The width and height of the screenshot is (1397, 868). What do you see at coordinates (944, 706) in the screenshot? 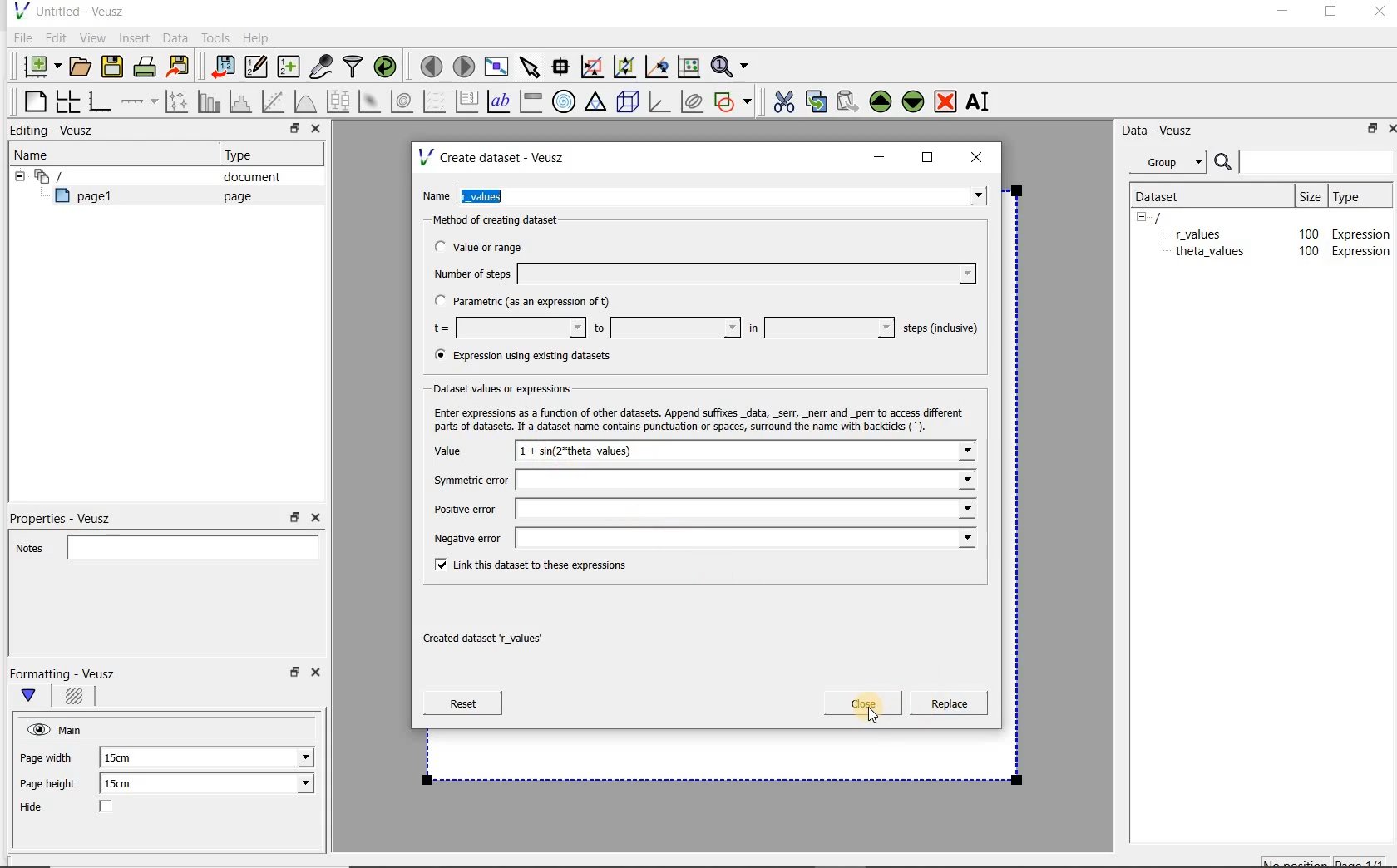
I see `Create` at bounding box center [944, 706].